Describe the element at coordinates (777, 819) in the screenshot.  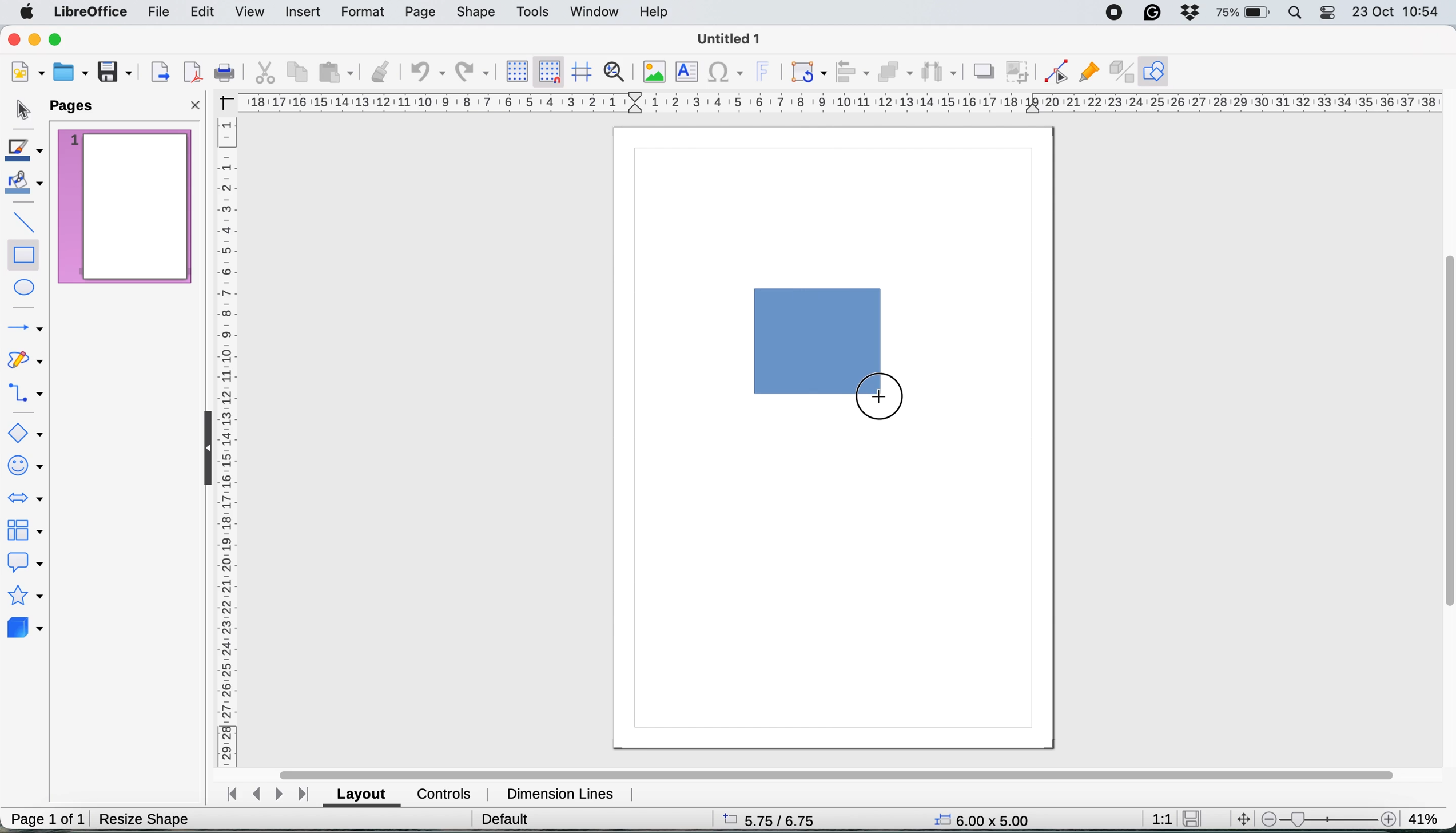
I see `5.75/6.75` at that location.